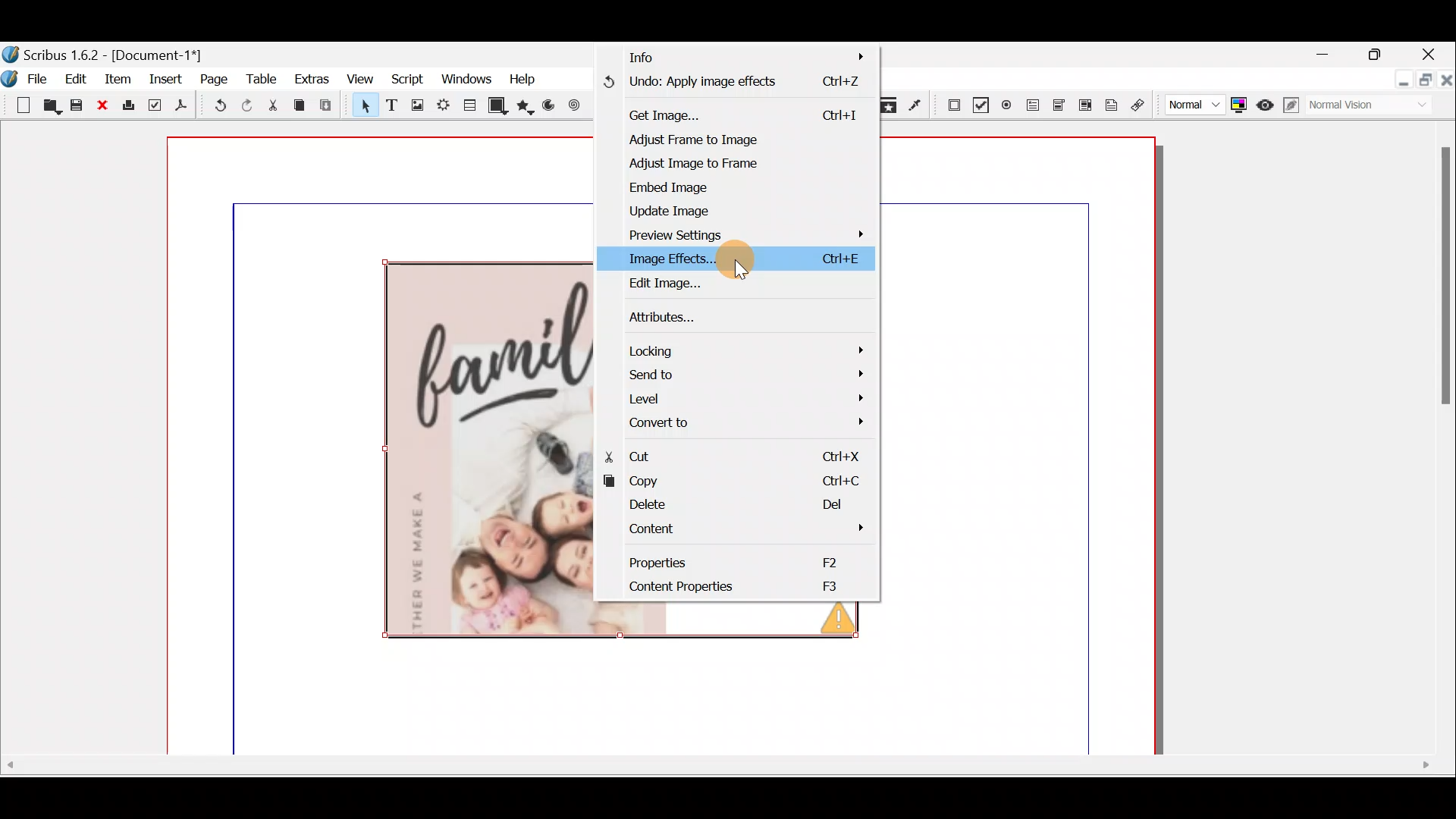 The height and width of the screenshot is (819, 1456). I want to click on Edit in preview mode, so click(1289, 104).